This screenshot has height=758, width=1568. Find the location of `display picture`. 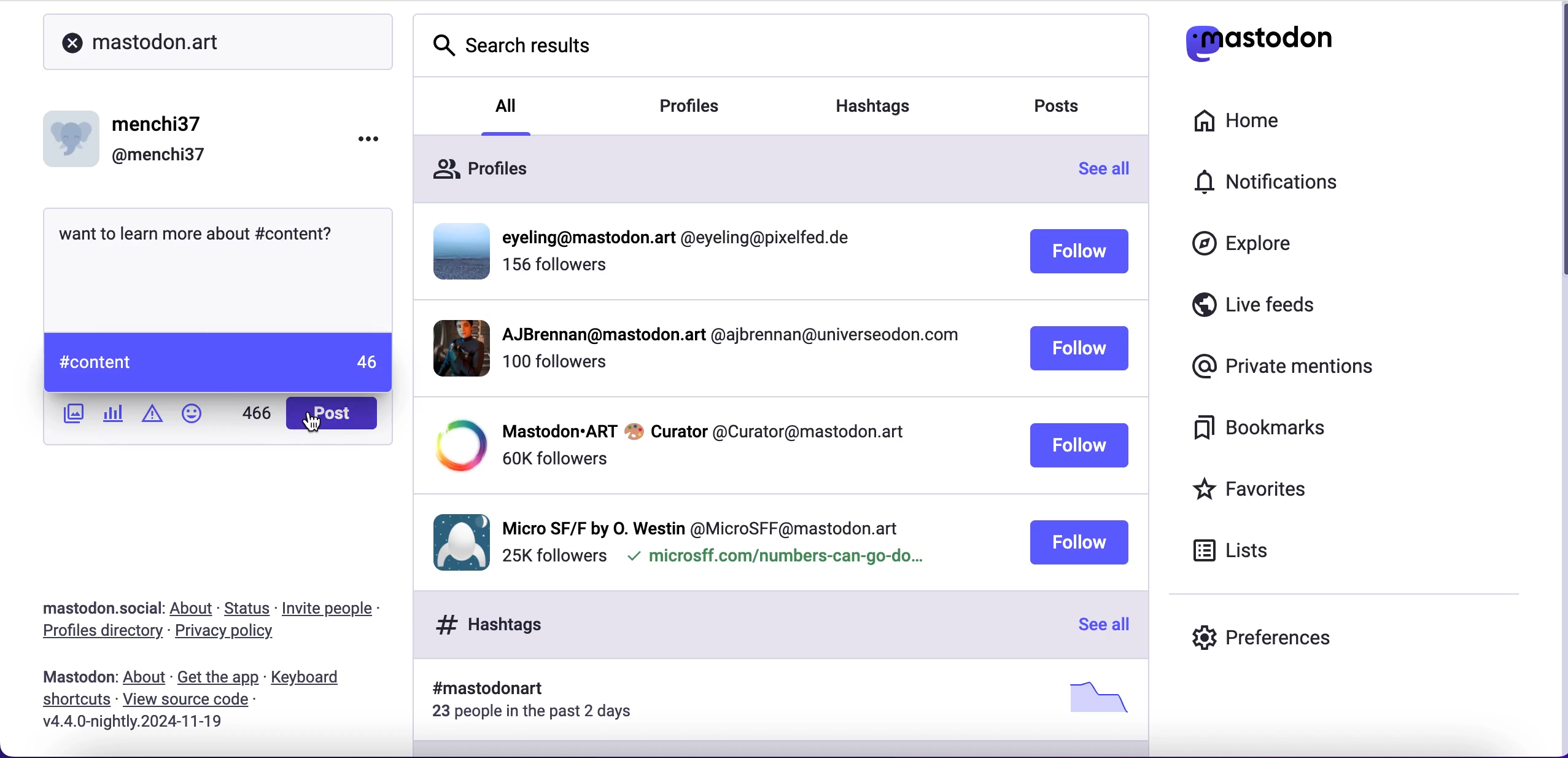

display picture is located at coordinates (74, 135).